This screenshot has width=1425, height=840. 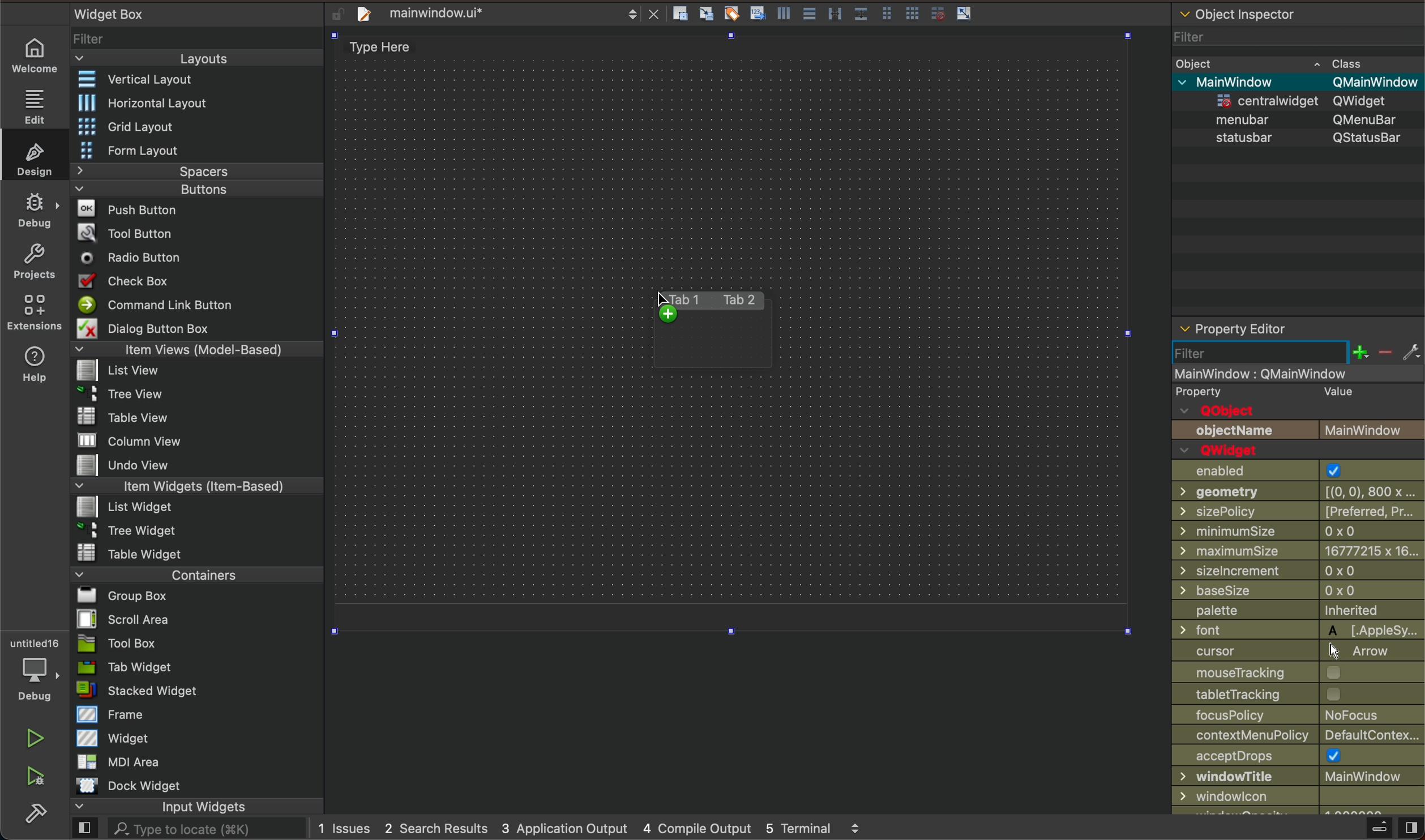 I want to click on =centralwidaet OWidaet, so click(x=1294, y=98).